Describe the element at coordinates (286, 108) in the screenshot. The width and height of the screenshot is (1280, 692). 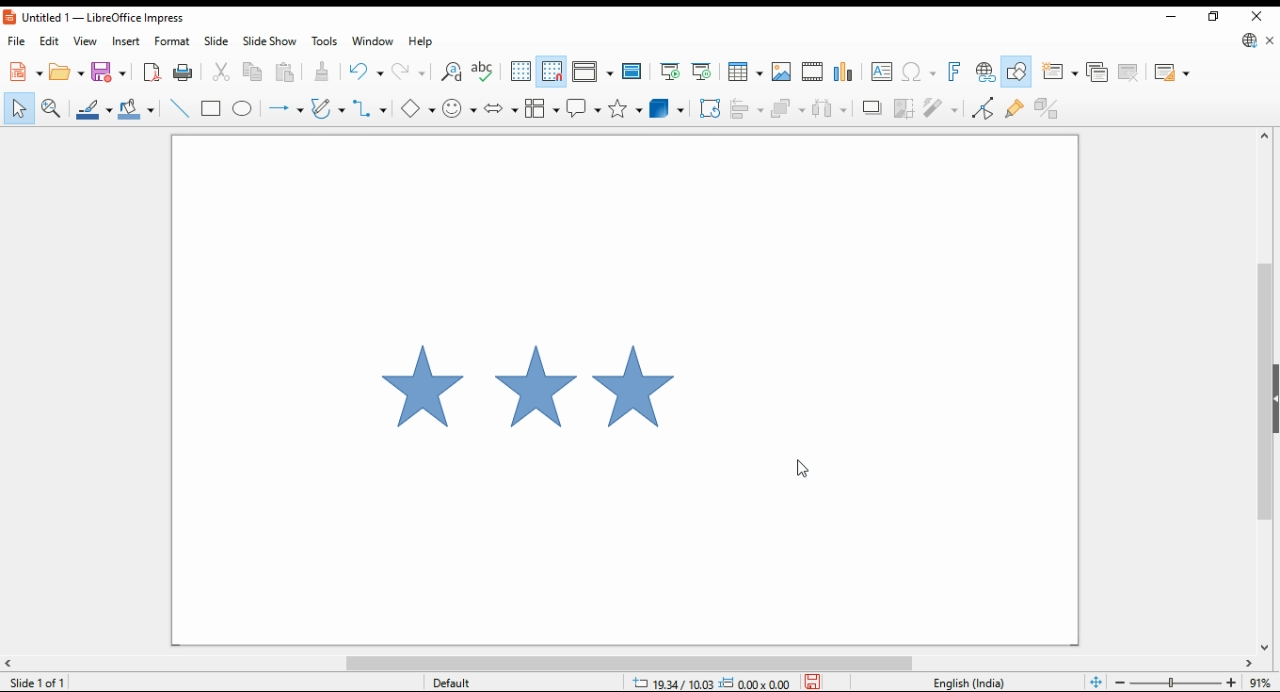
I see `lines and arrows` at that location.